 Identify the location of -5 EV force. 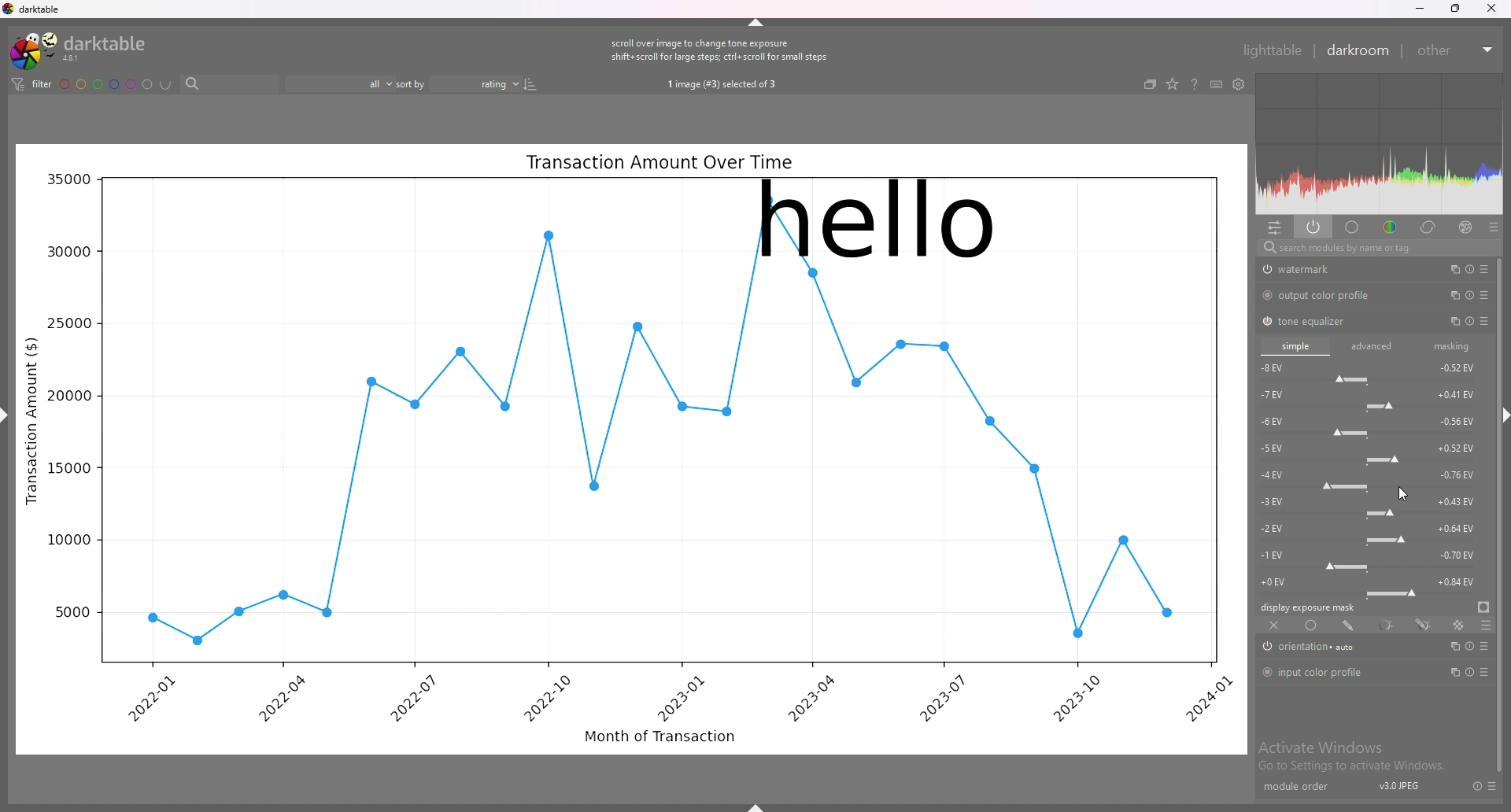
(1372, 452).